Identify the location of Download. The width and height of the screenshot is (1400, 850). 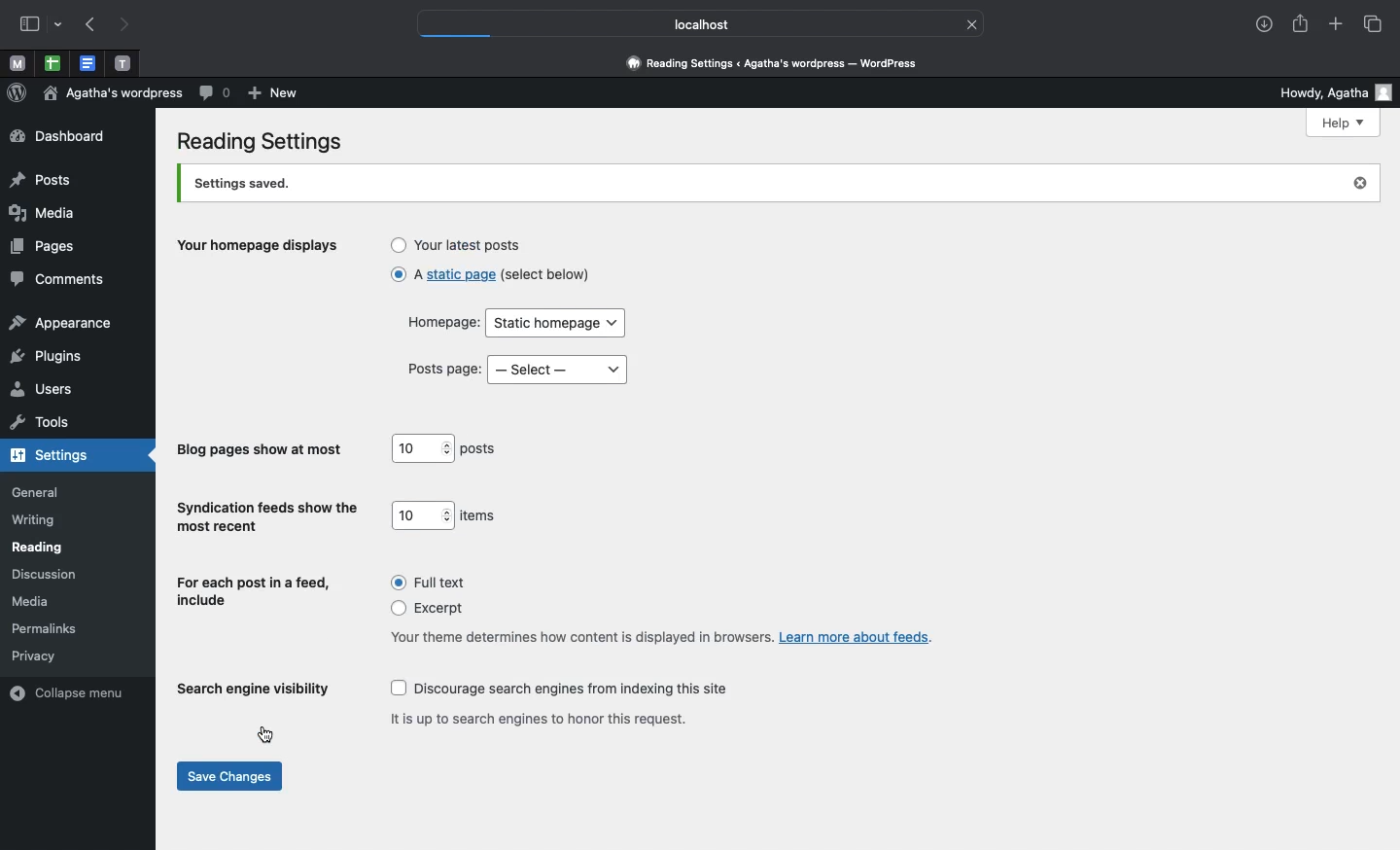
(1266, 23).